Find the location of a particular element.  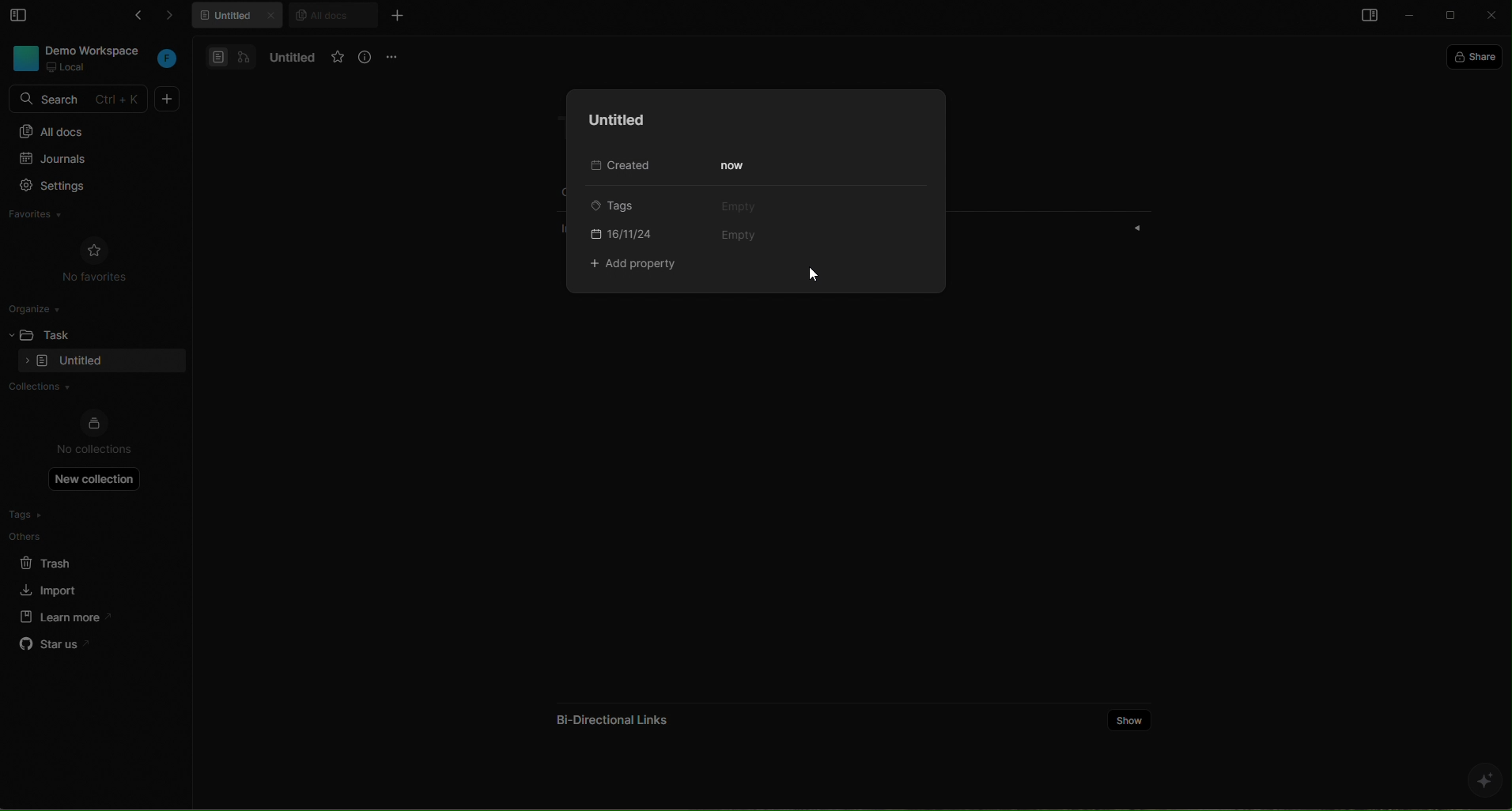

all docs is located at coordinates (93, 130).